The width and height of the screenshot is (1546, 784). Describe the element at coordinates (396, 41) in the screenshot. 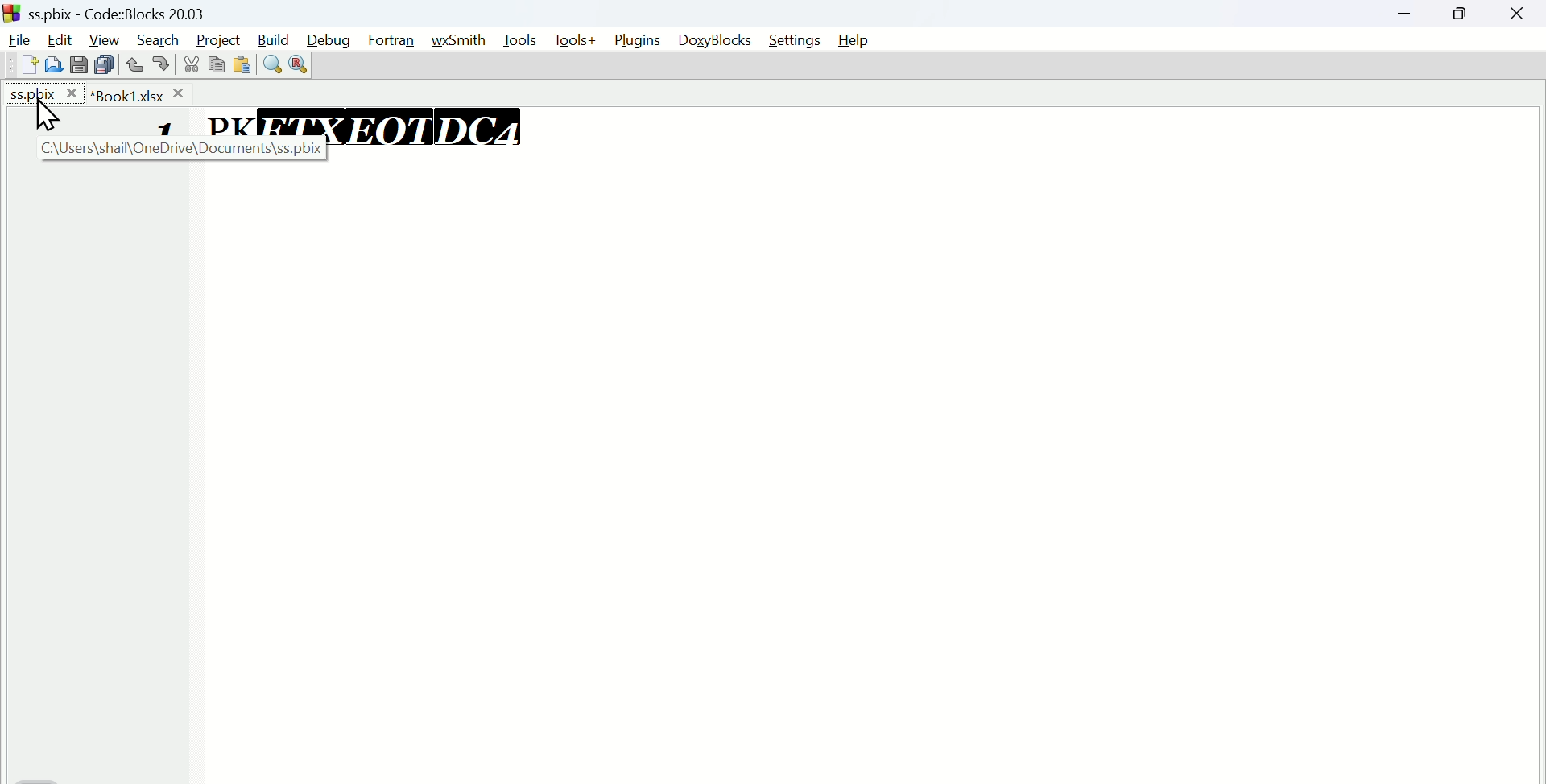

I see `Fortran` at that location.